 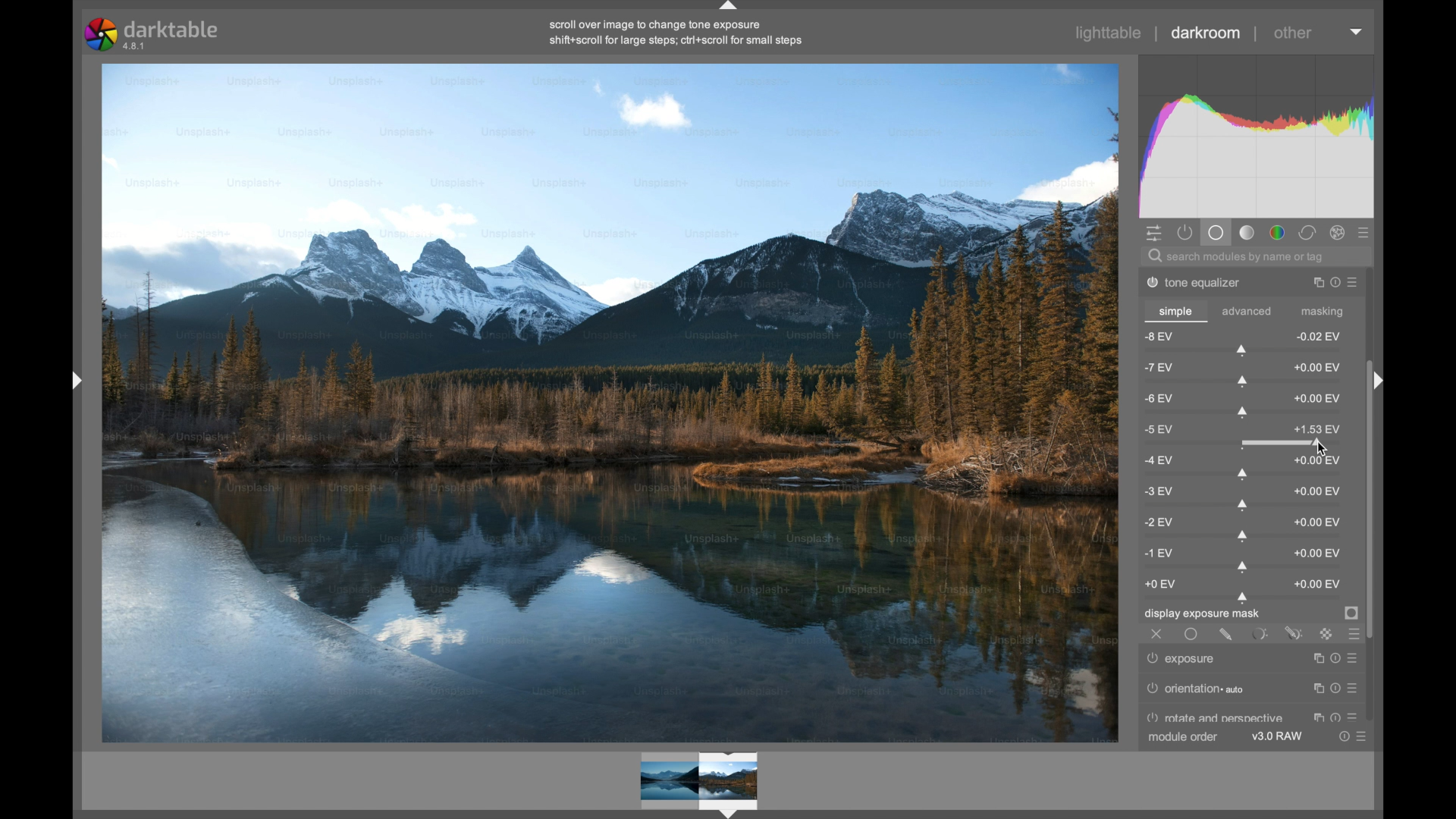 I want to click on -7 ev, so click(x=1159, y=367).